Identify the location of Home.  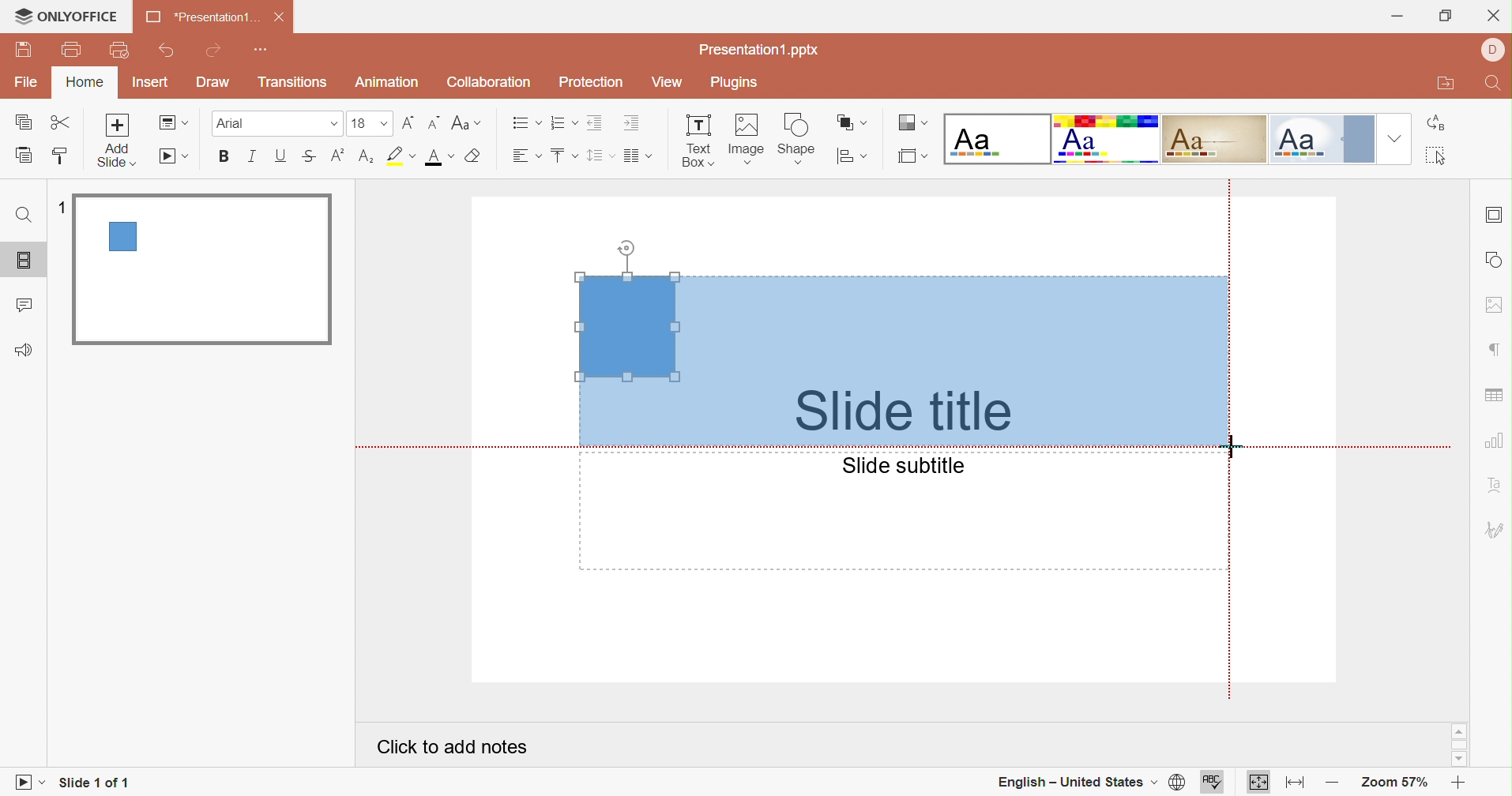
(82, 82).